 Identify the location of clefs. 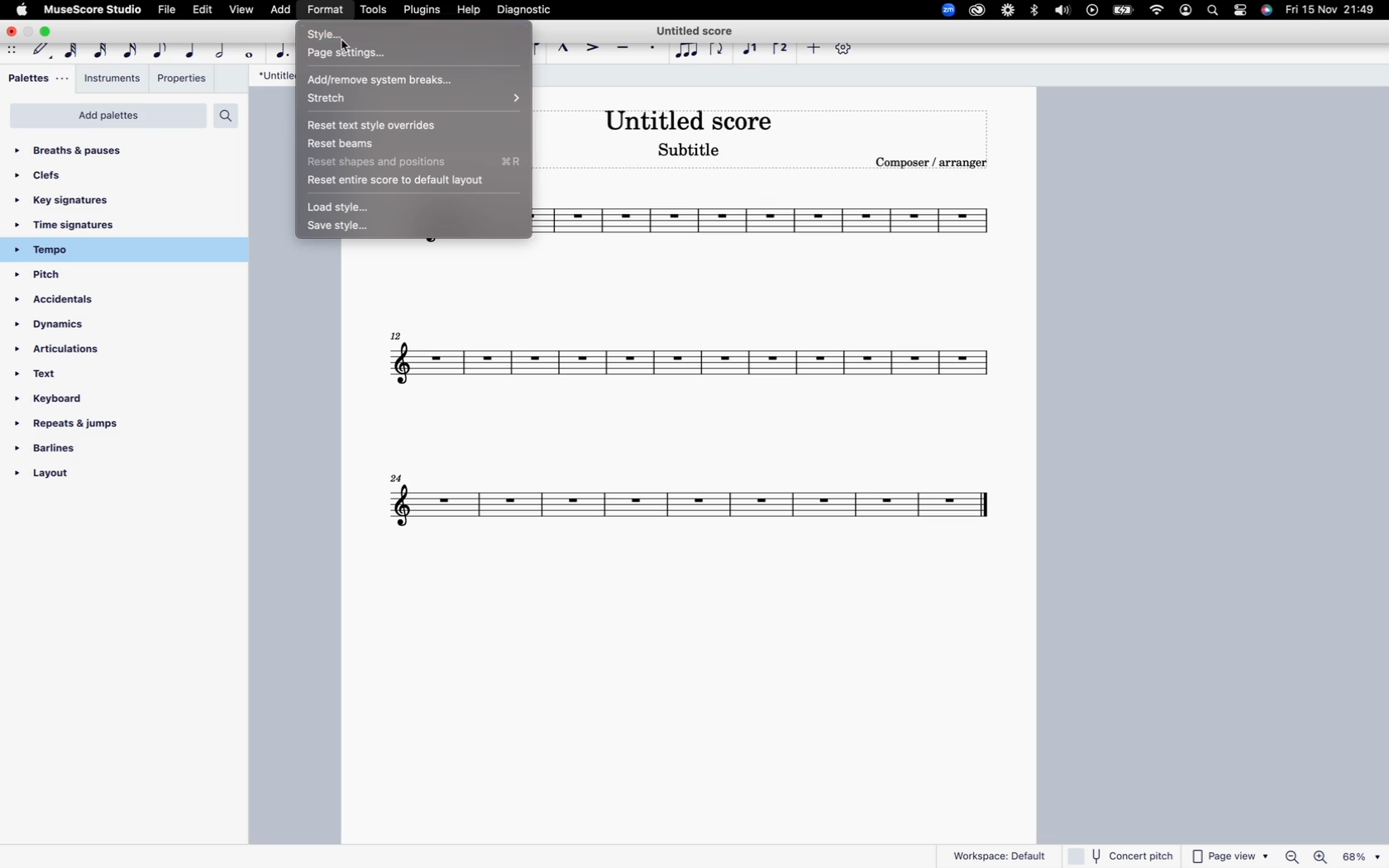
(67, 175).